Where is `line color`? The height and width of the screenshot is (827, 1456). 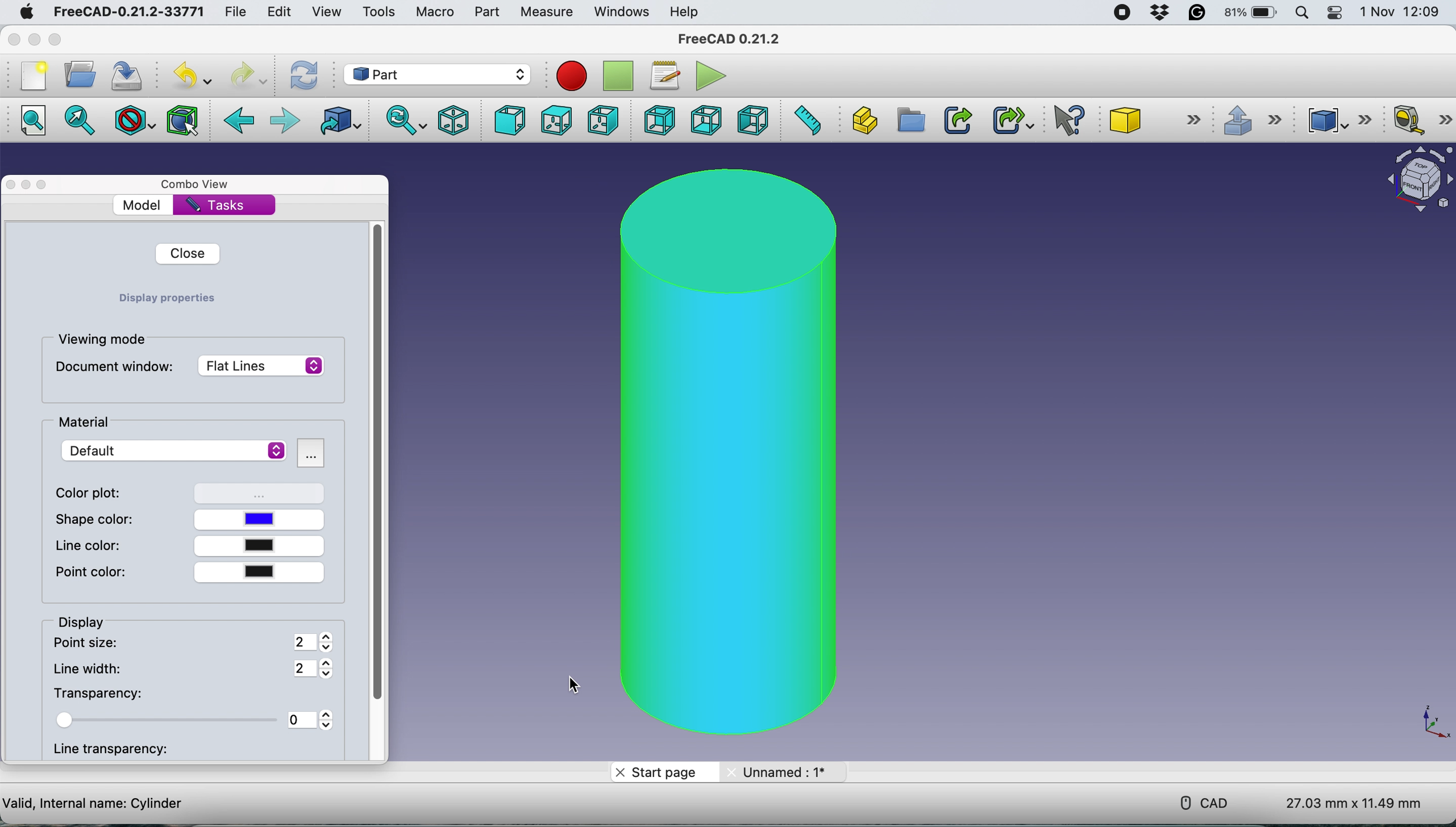
line color is located at coordinates (185, 544).